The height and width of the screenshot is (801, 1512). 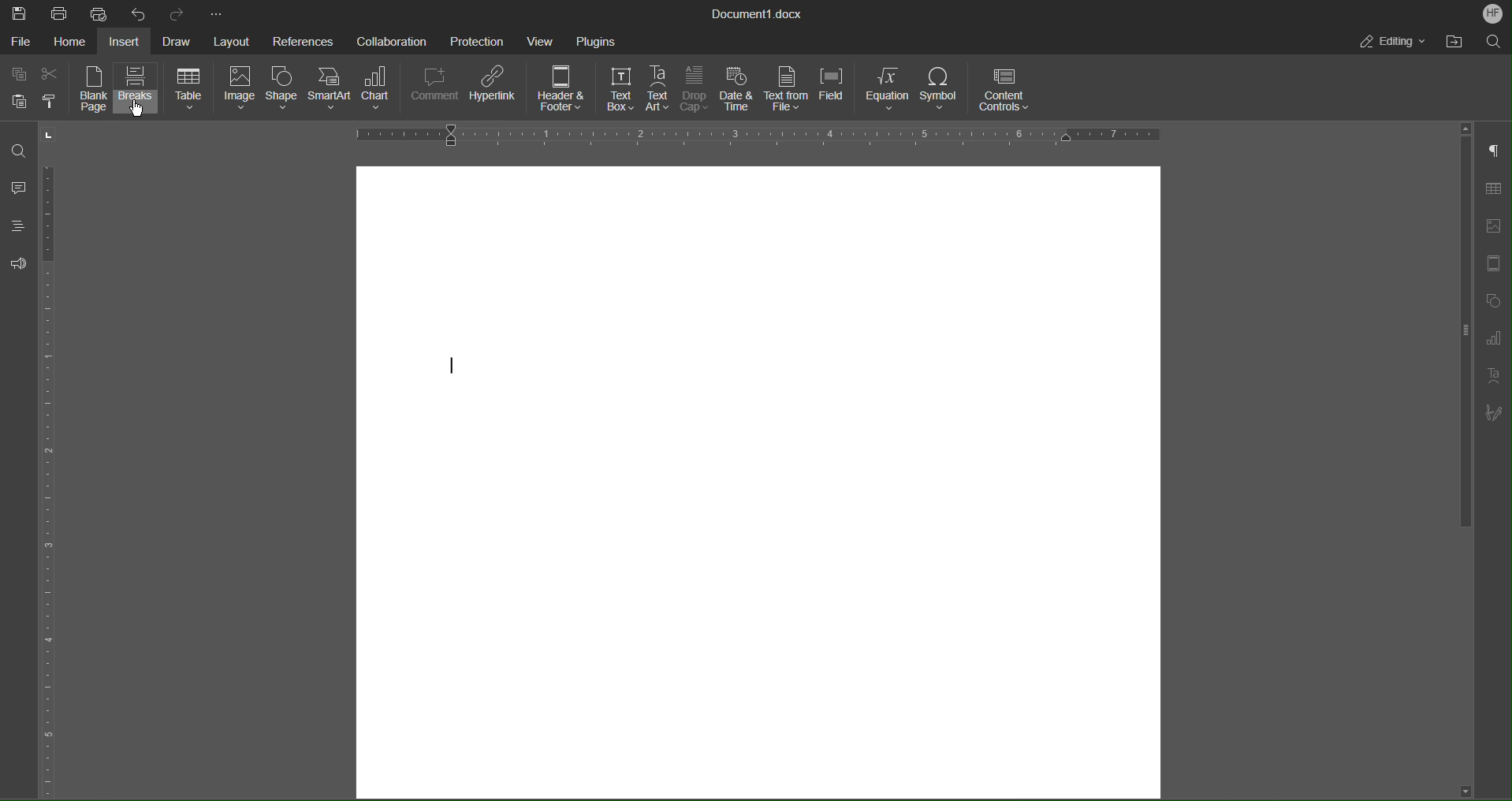 I want to click on Comments, so click(x=17, y=185).